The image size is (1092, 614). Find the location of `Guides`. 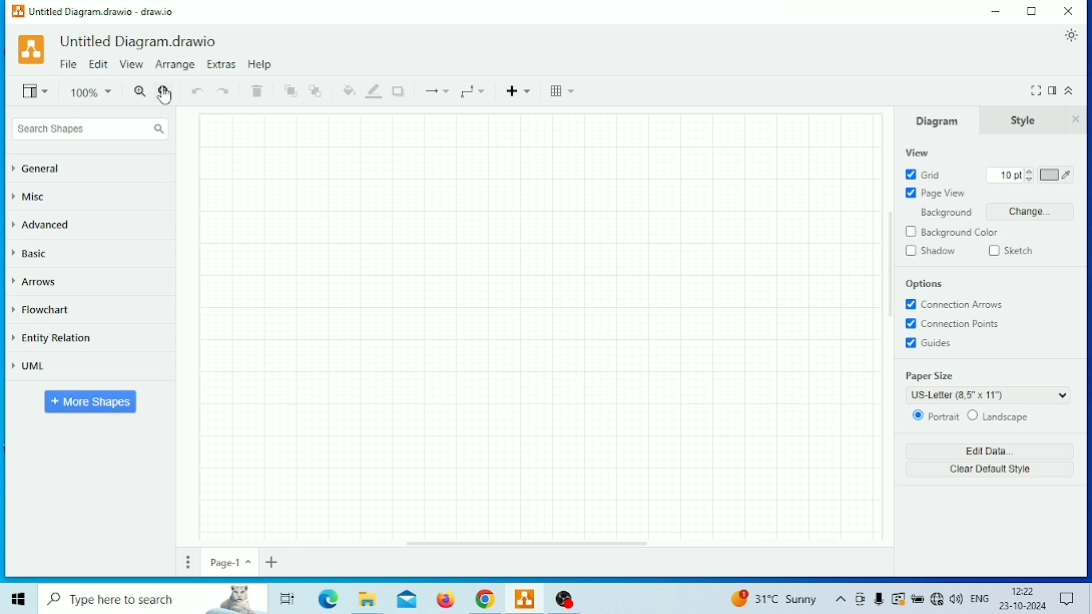

Guides is located at coordinates (928, 343).